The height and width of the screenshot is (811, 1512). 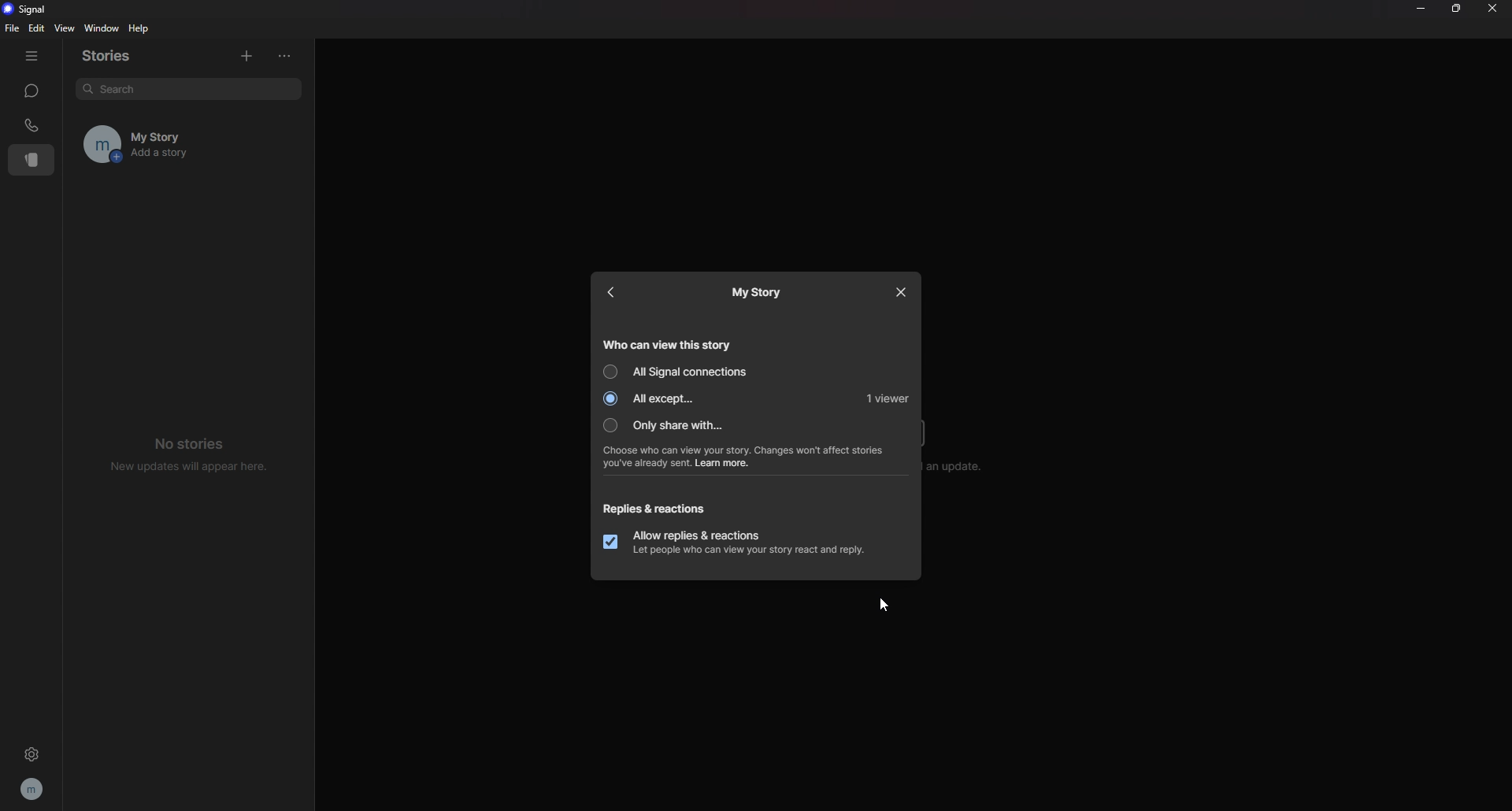 I want to click on profile, so click(x=33, y=788).